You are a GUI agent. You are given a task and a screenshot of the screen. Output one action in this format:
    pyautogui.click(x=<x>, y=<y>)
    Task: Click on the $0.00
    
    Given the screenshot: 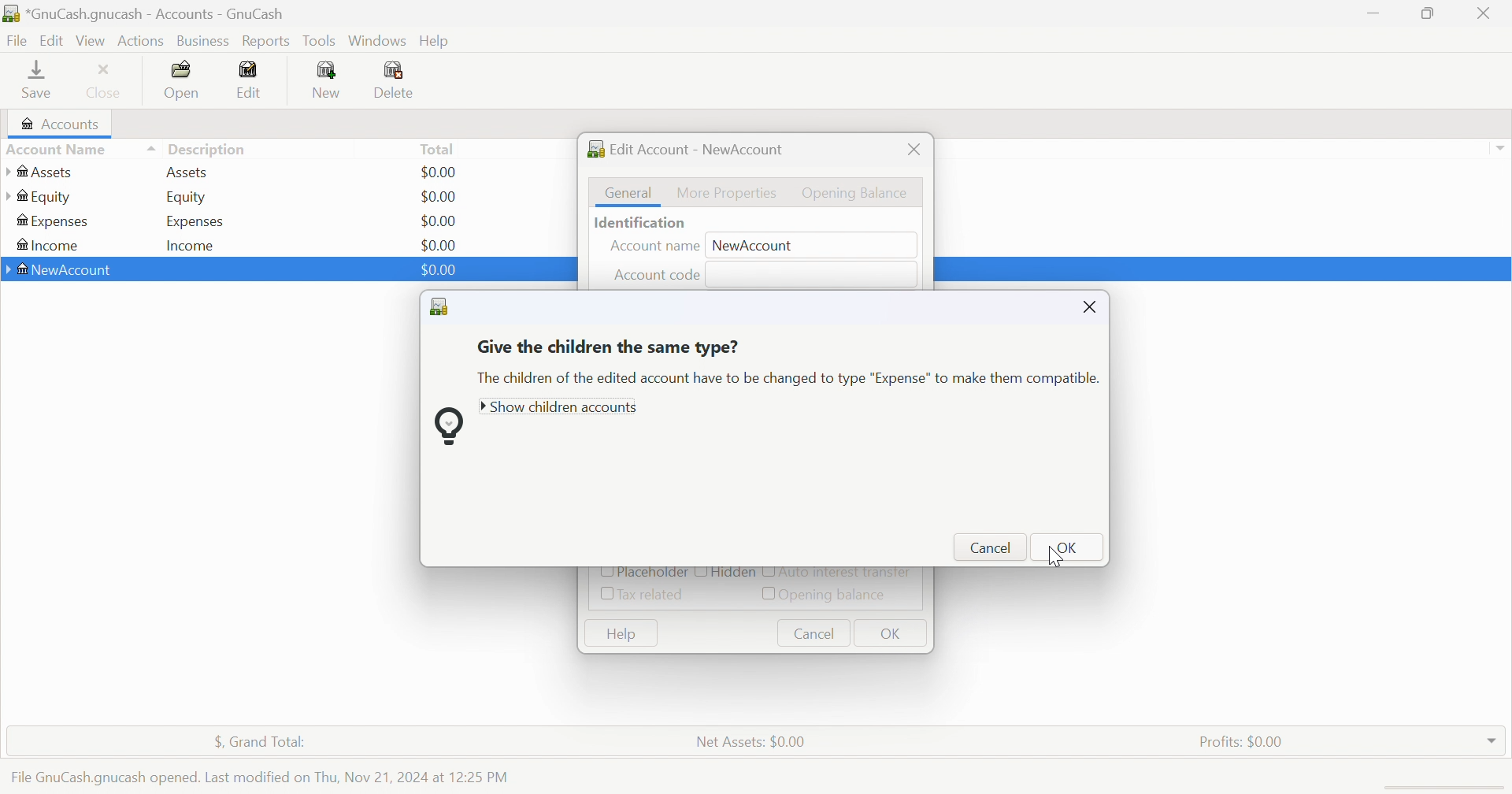 What is the action you would take?
    pyautogui.click(x=437, y=197)
    